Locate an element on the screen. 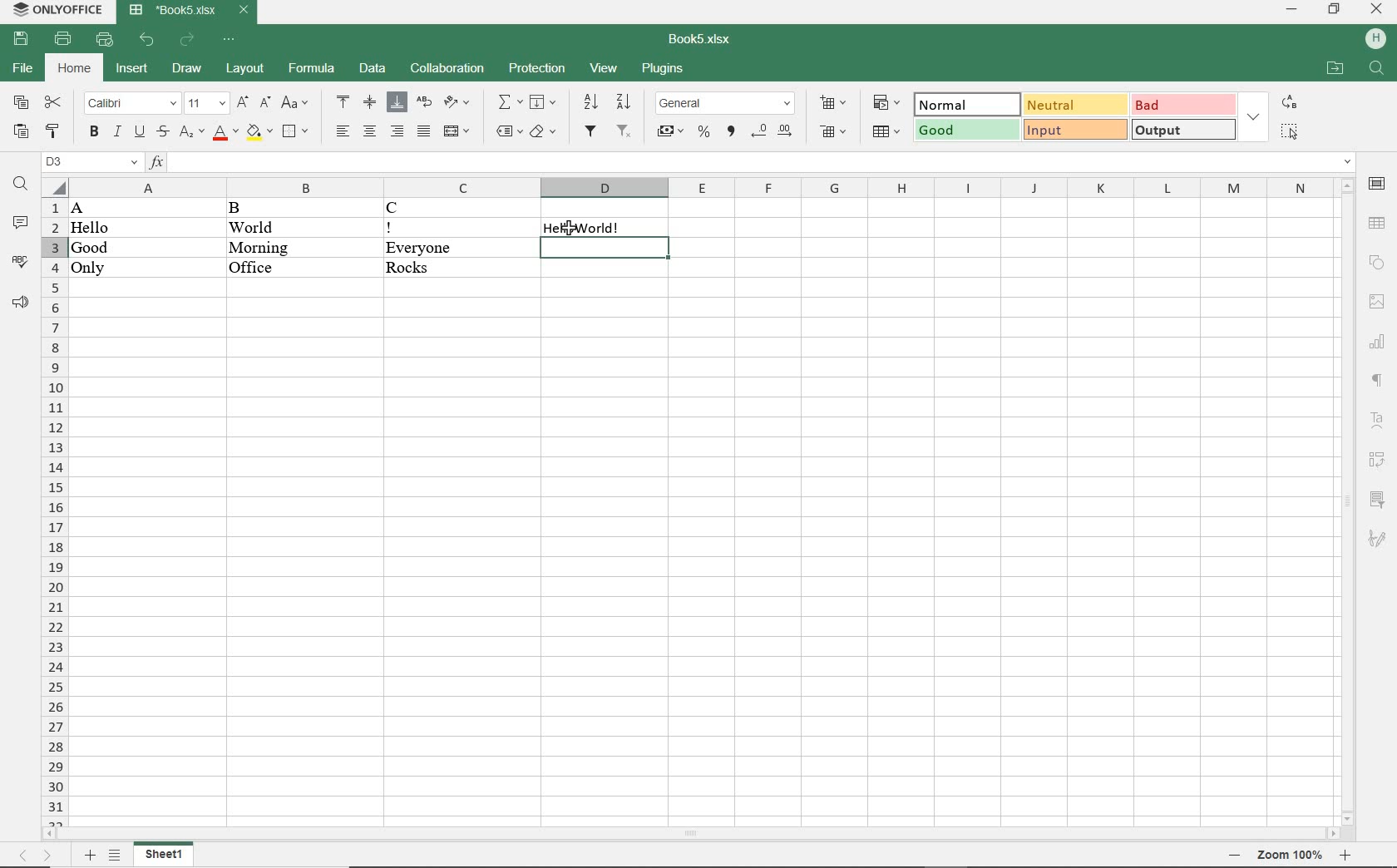 This screenshot has width=1397, height=868. VIEW is located at coordinates (605, 67).